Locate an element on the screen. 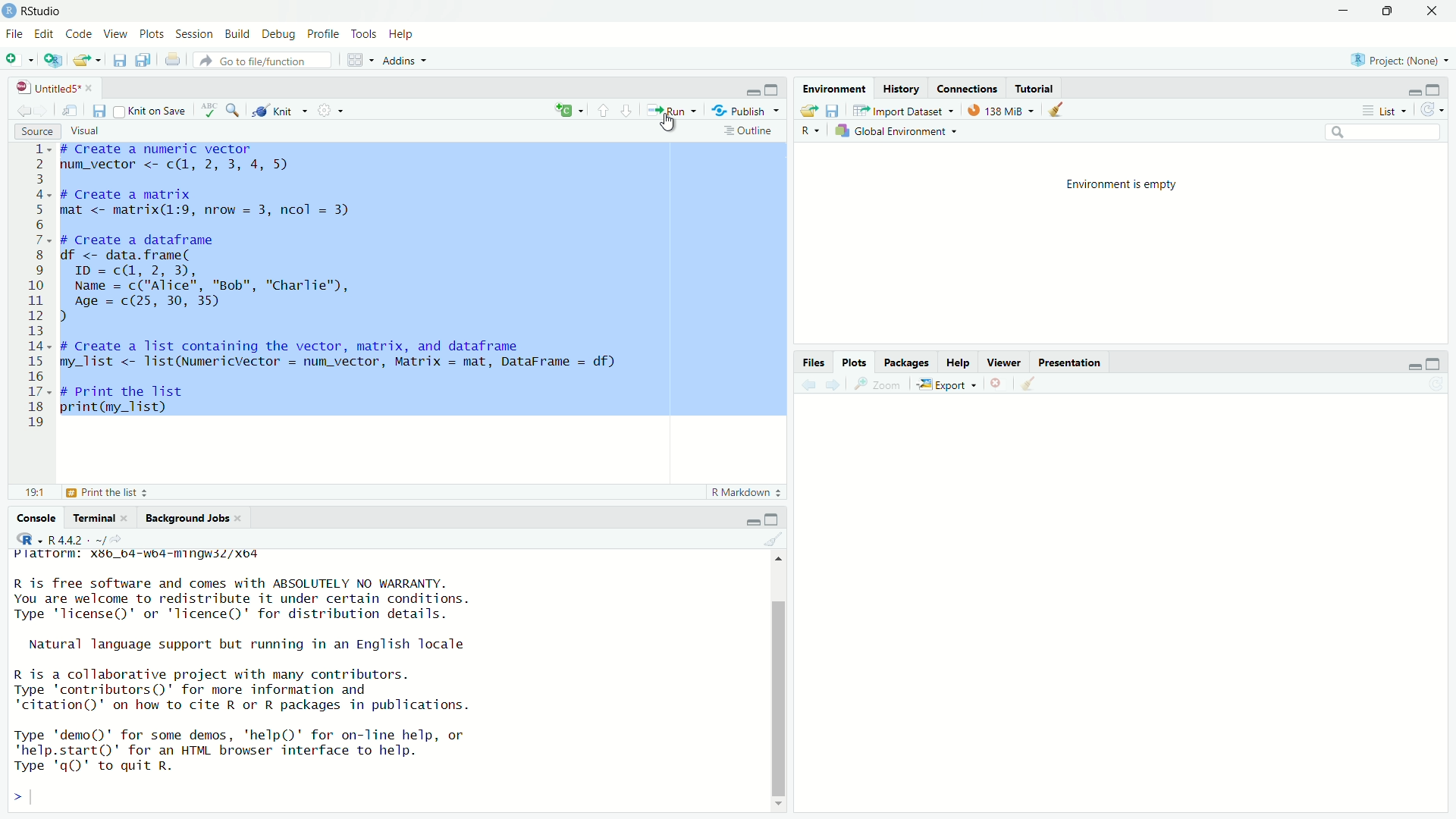 This screenshot has width=1456, height=819. View is located at coordinates (117, 35).